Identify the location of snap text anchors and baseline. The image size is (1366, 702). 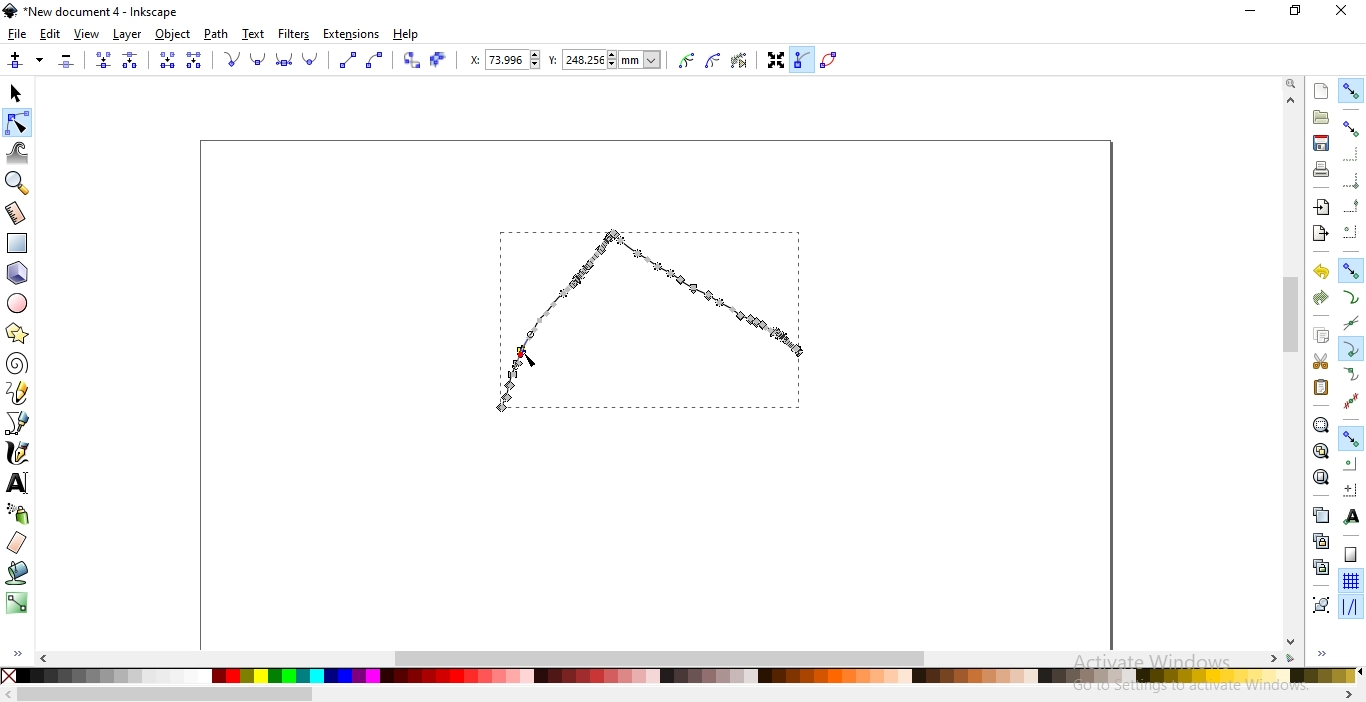
(1352, 516).